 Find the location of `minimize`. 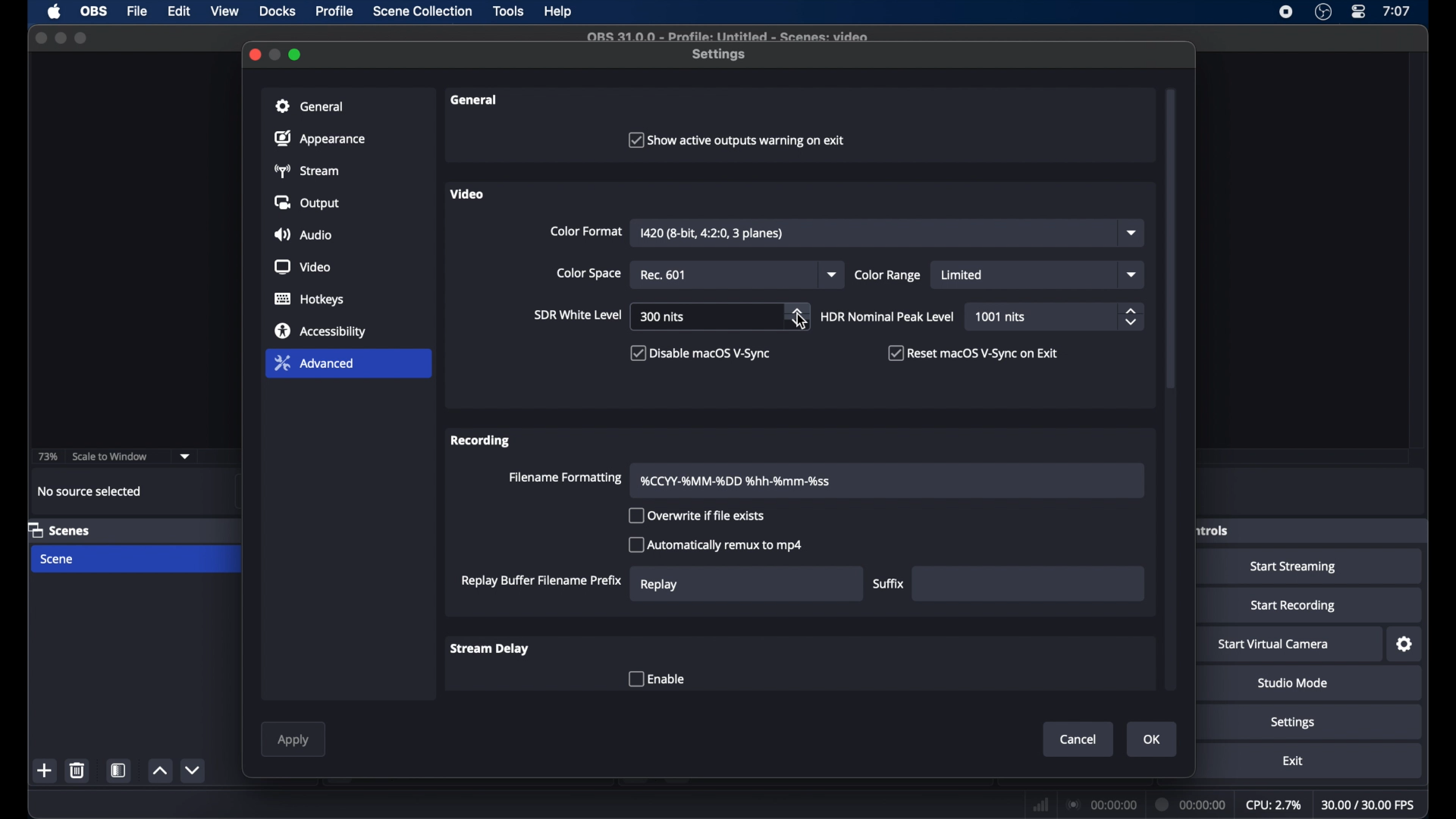

minimize is located at coordinates (274, 54).